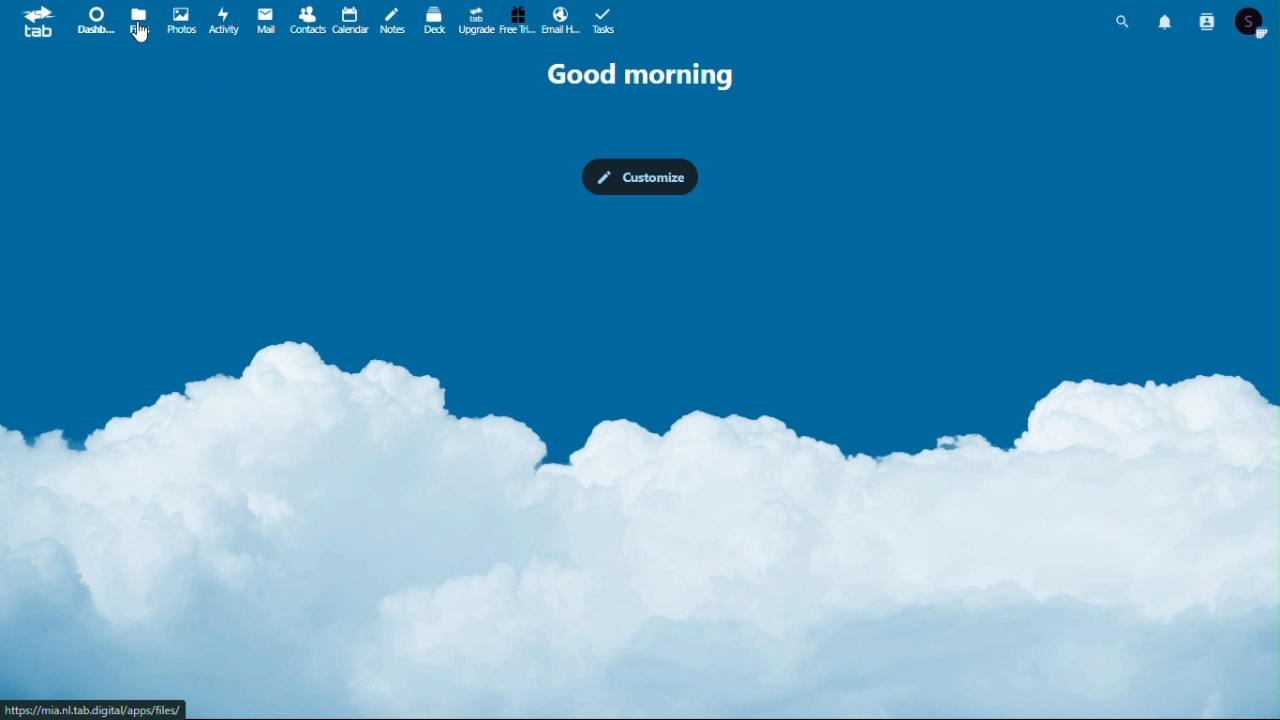 The width and height of the screenshot is (1280, 720). Describe the element at coordinates (221, 21) in the screenshot. I see `activity` at that location.